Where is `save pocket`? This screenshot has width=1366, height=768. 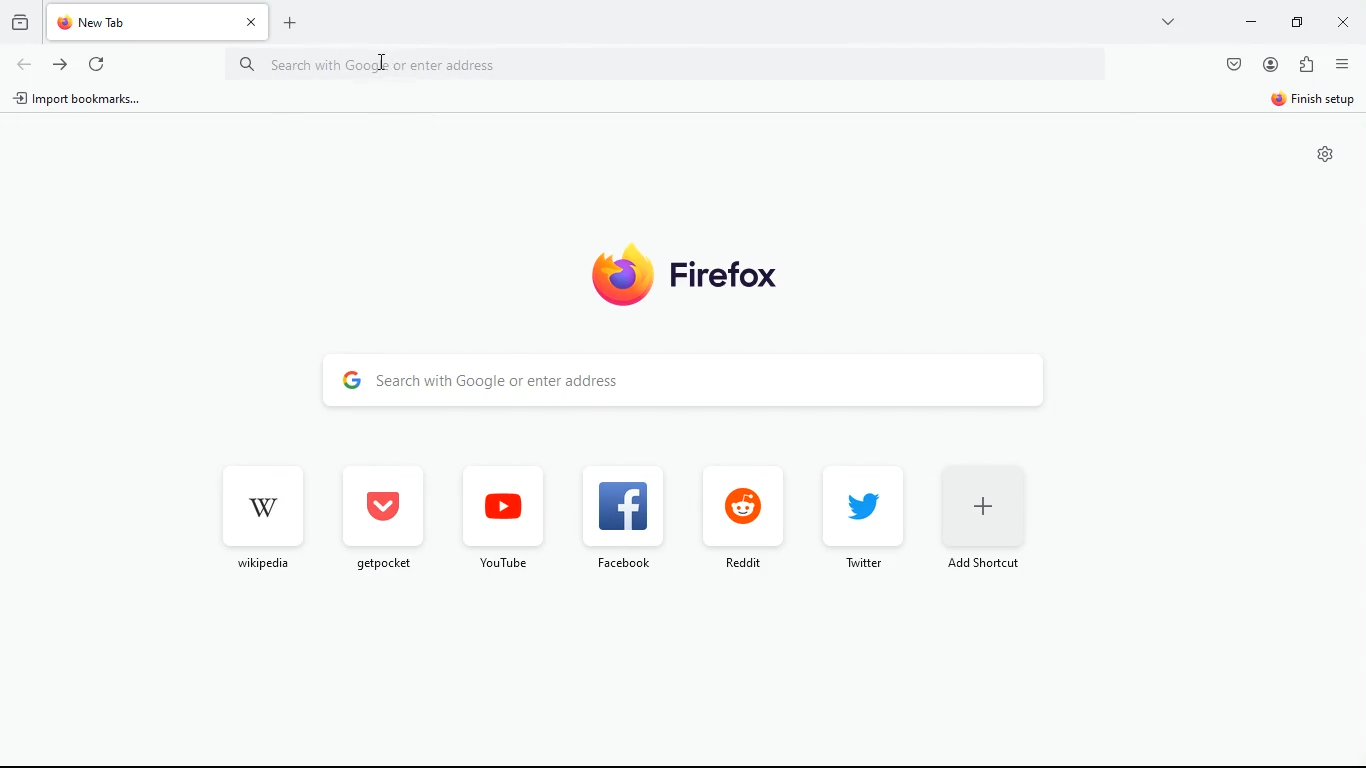
save pocket is located at coordinates (1233, 66).